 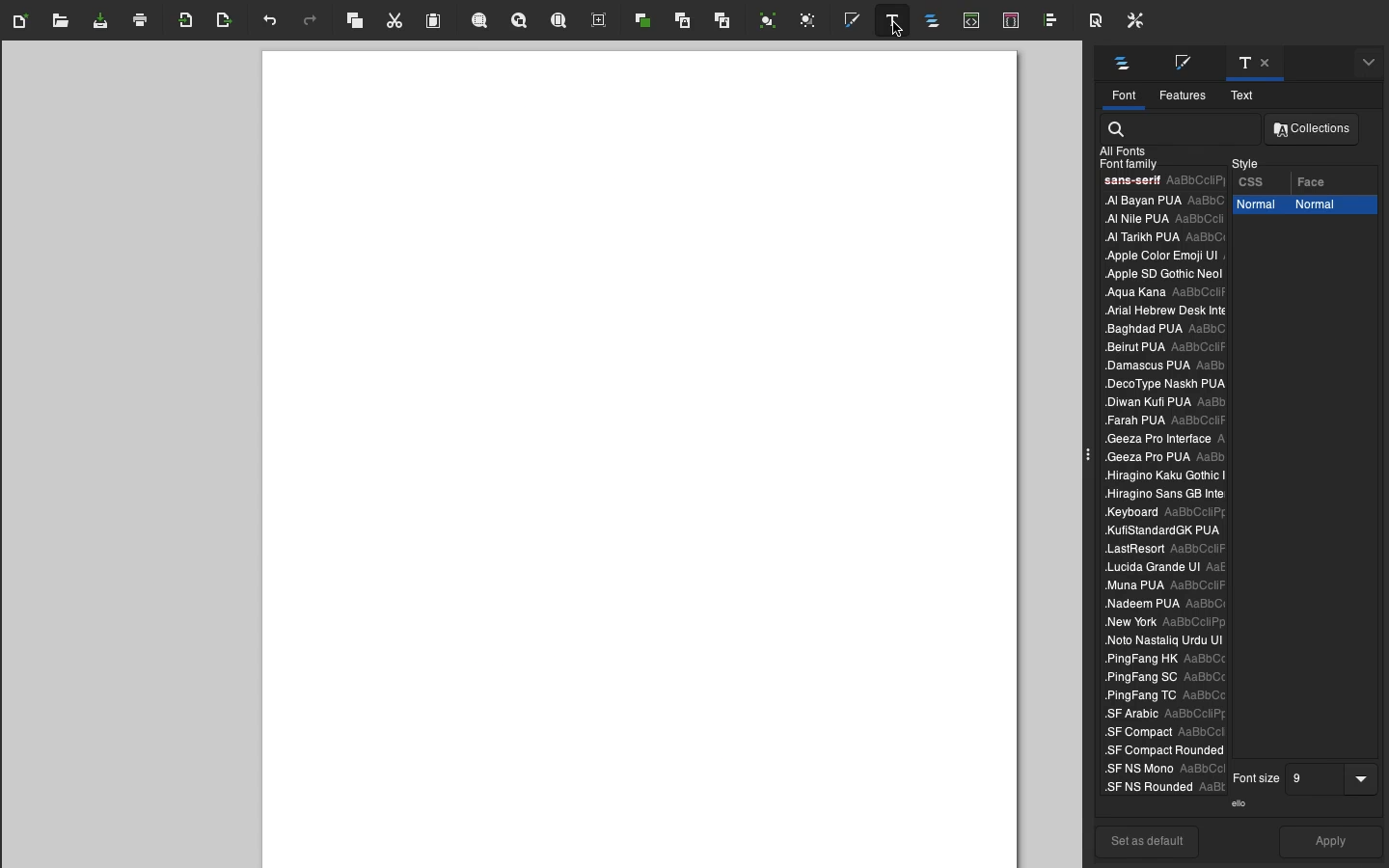 I want to click on Paste, so click(x=436, y=21).